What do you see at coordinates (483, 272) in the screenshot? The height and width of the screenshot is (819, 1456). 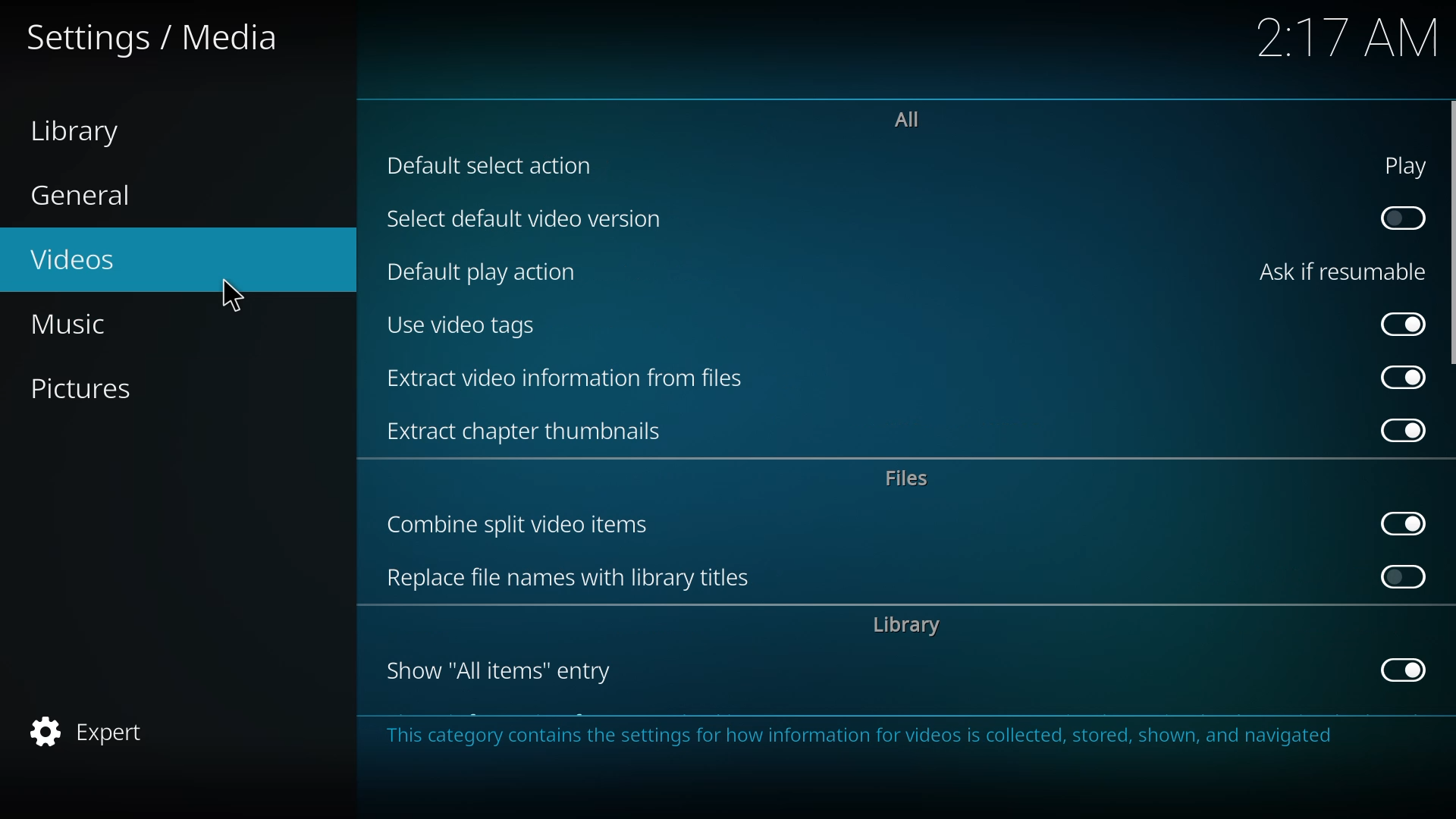 I see `default play action` at bounding box center [483, 272].